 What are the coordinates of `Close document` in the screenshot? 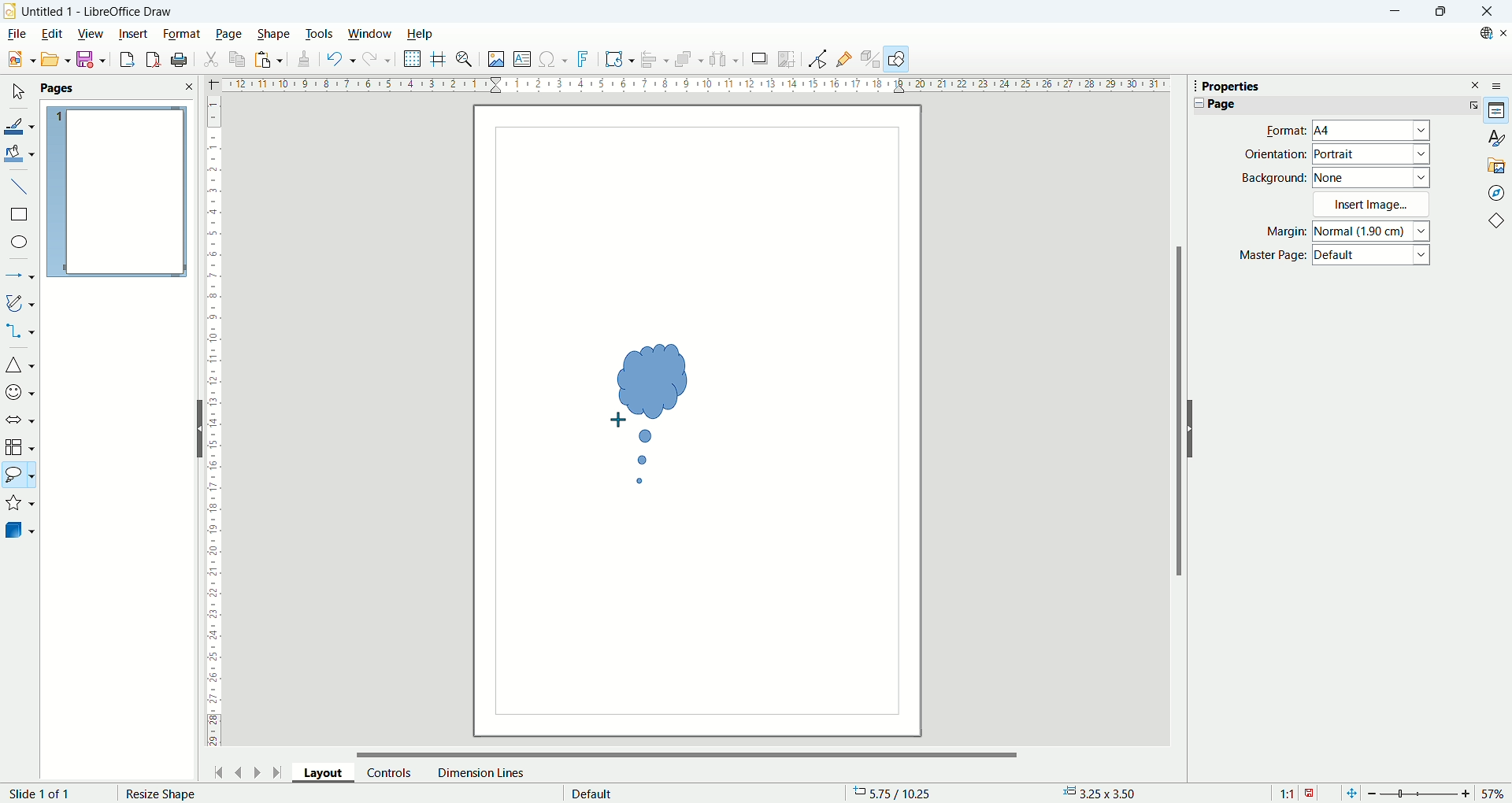 It's located at (1503, 33).